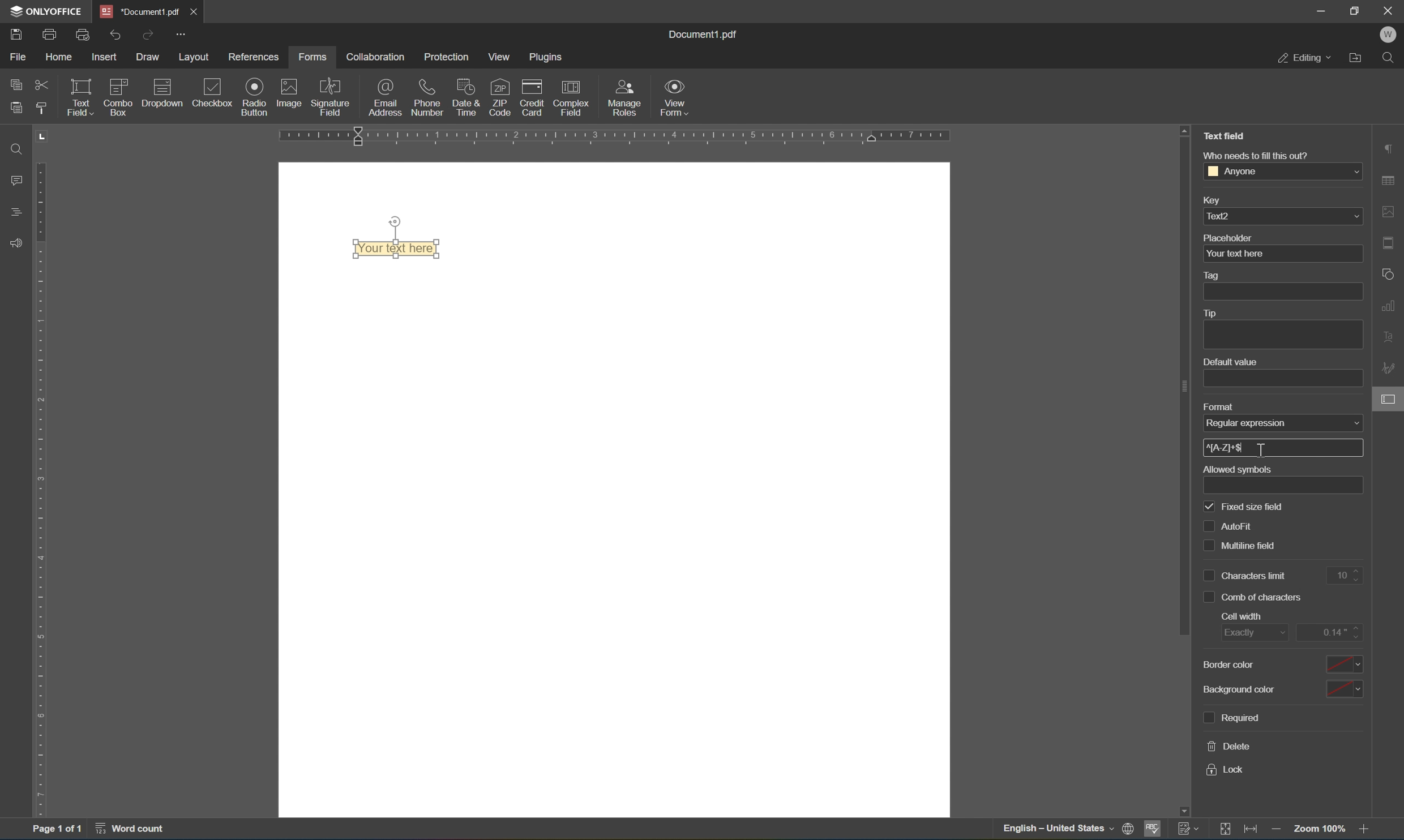 Image resolution: width=1404 pixels, height=840 pixels. Describe the element at coordinates (137, 9) in the screenshot. I see `document1` at that location.